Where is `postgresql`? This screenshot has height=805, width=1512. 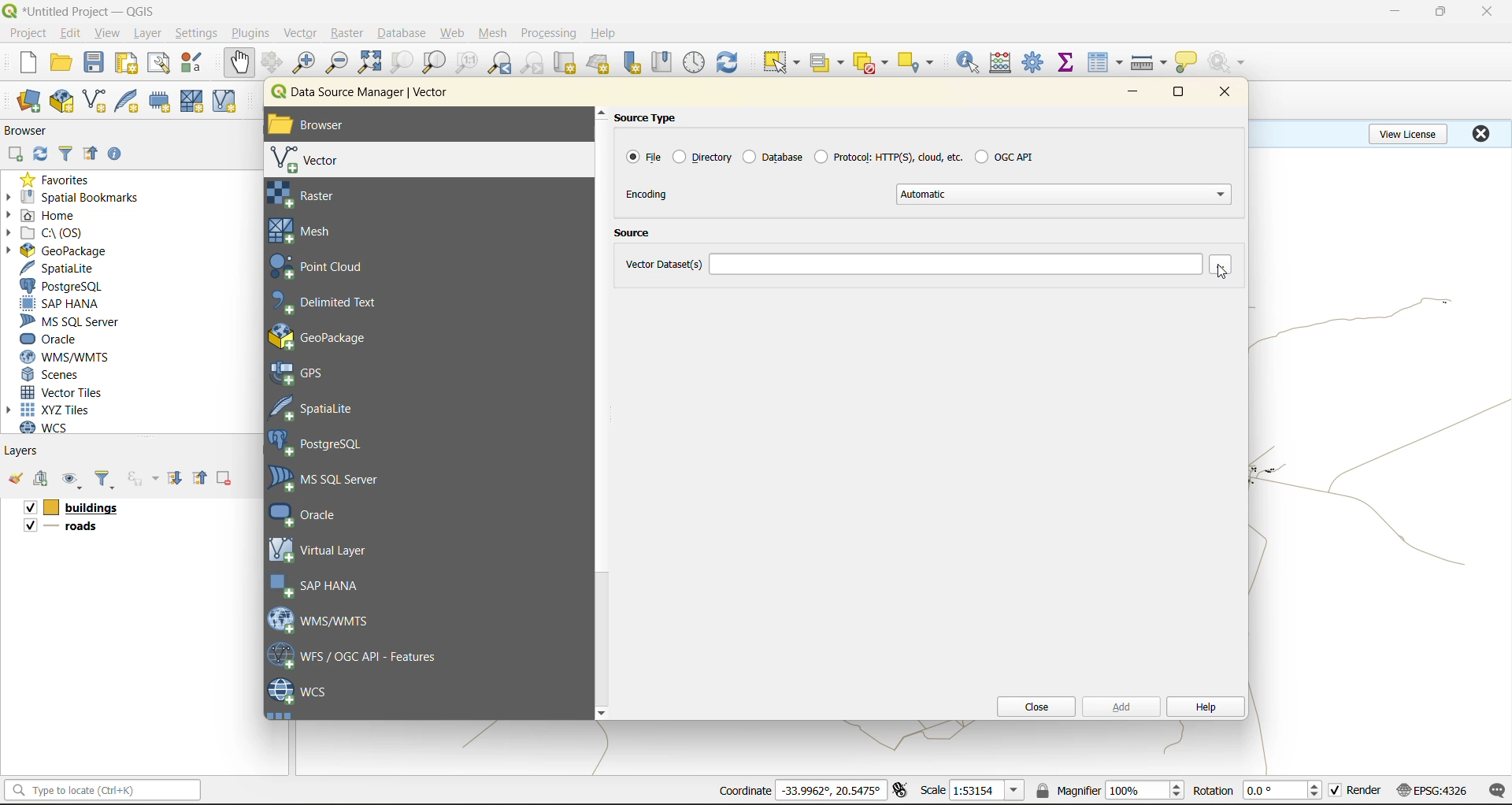
postgresql is located at coordinates (324, 445).